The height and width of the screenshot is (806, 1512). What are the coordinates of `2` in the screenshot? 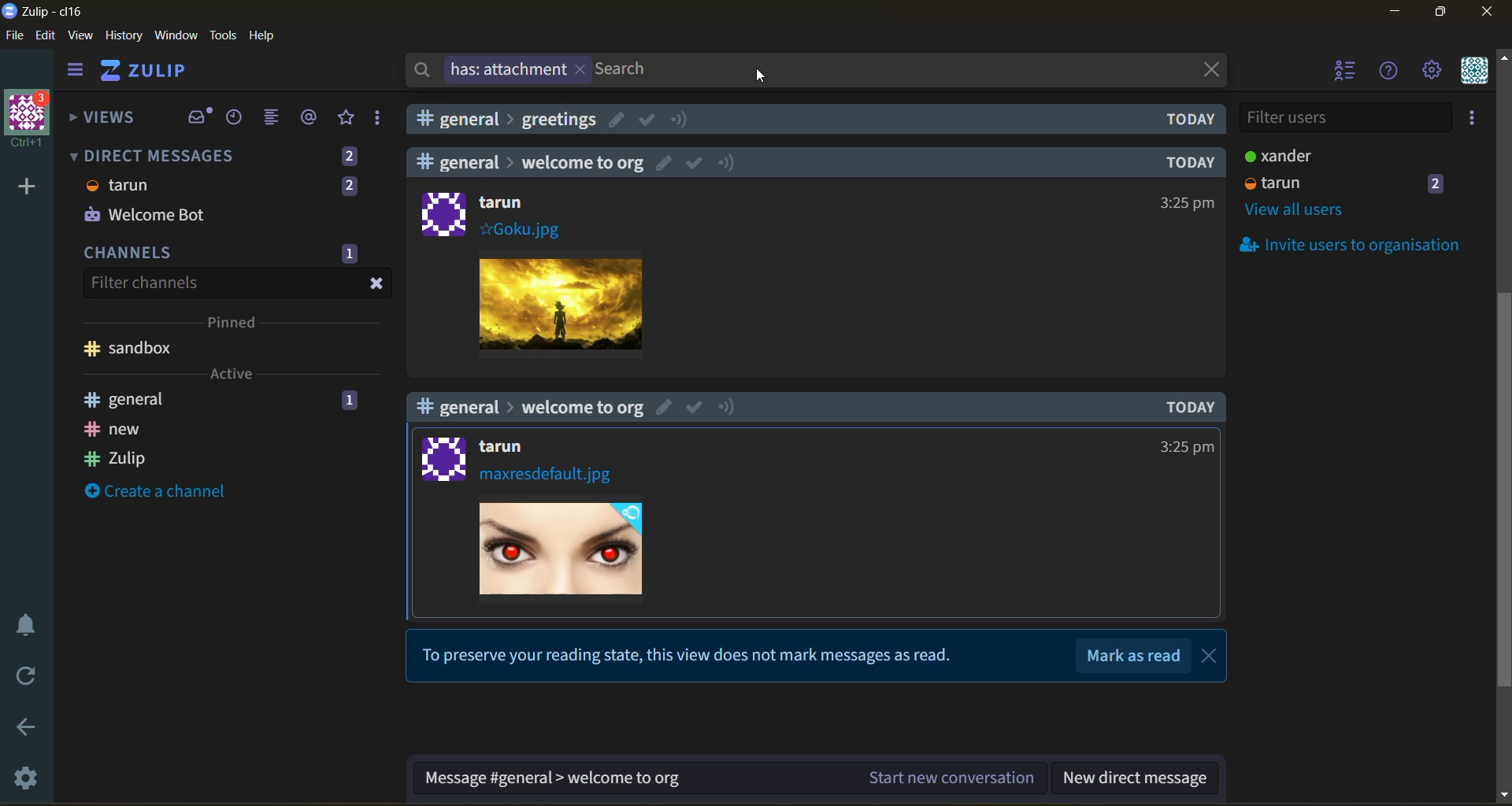 It's located at (1438, 183).